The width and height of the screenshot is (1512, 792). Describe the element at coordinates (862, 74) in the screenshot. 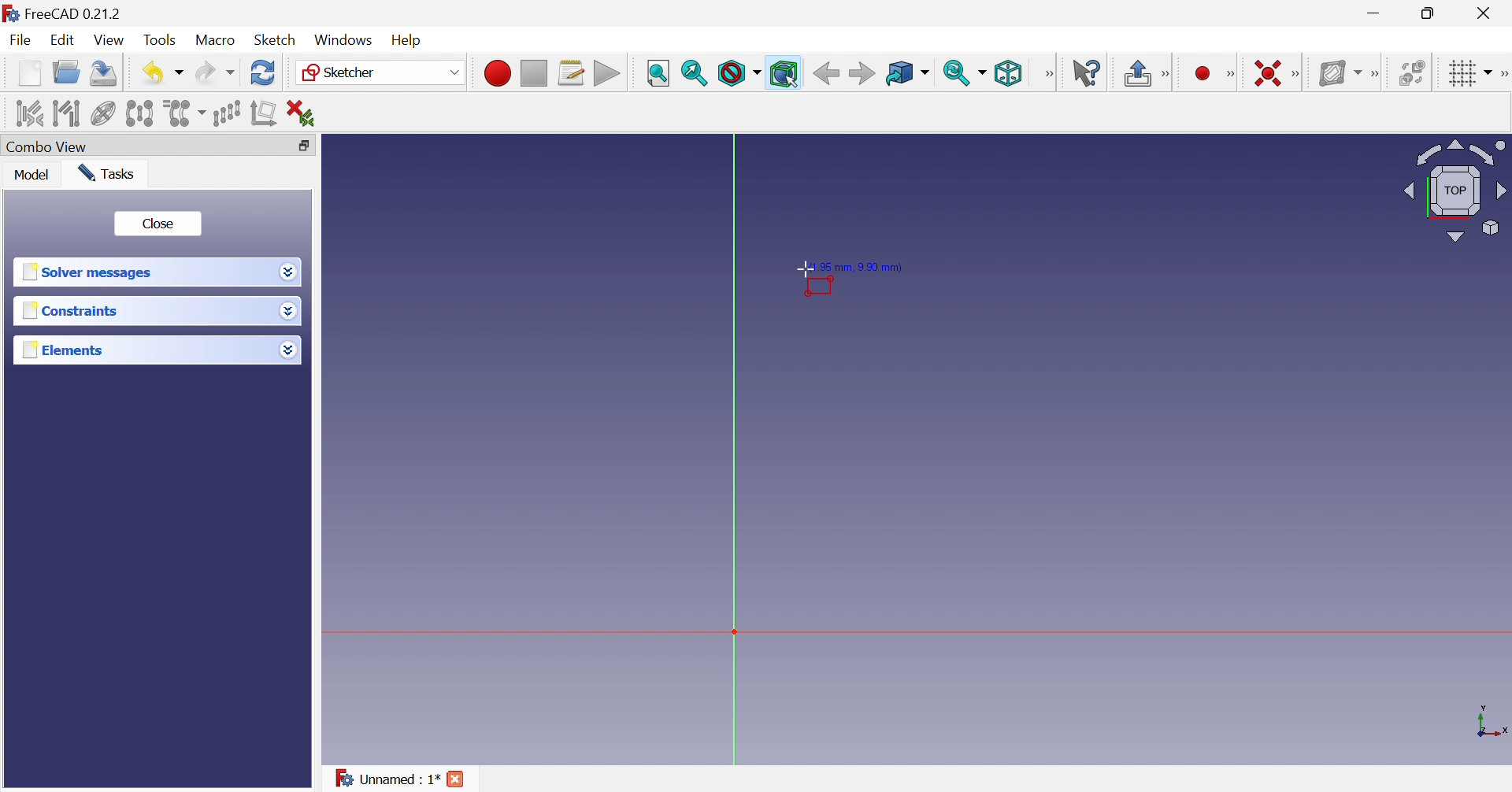

I see `Forward` at that location.